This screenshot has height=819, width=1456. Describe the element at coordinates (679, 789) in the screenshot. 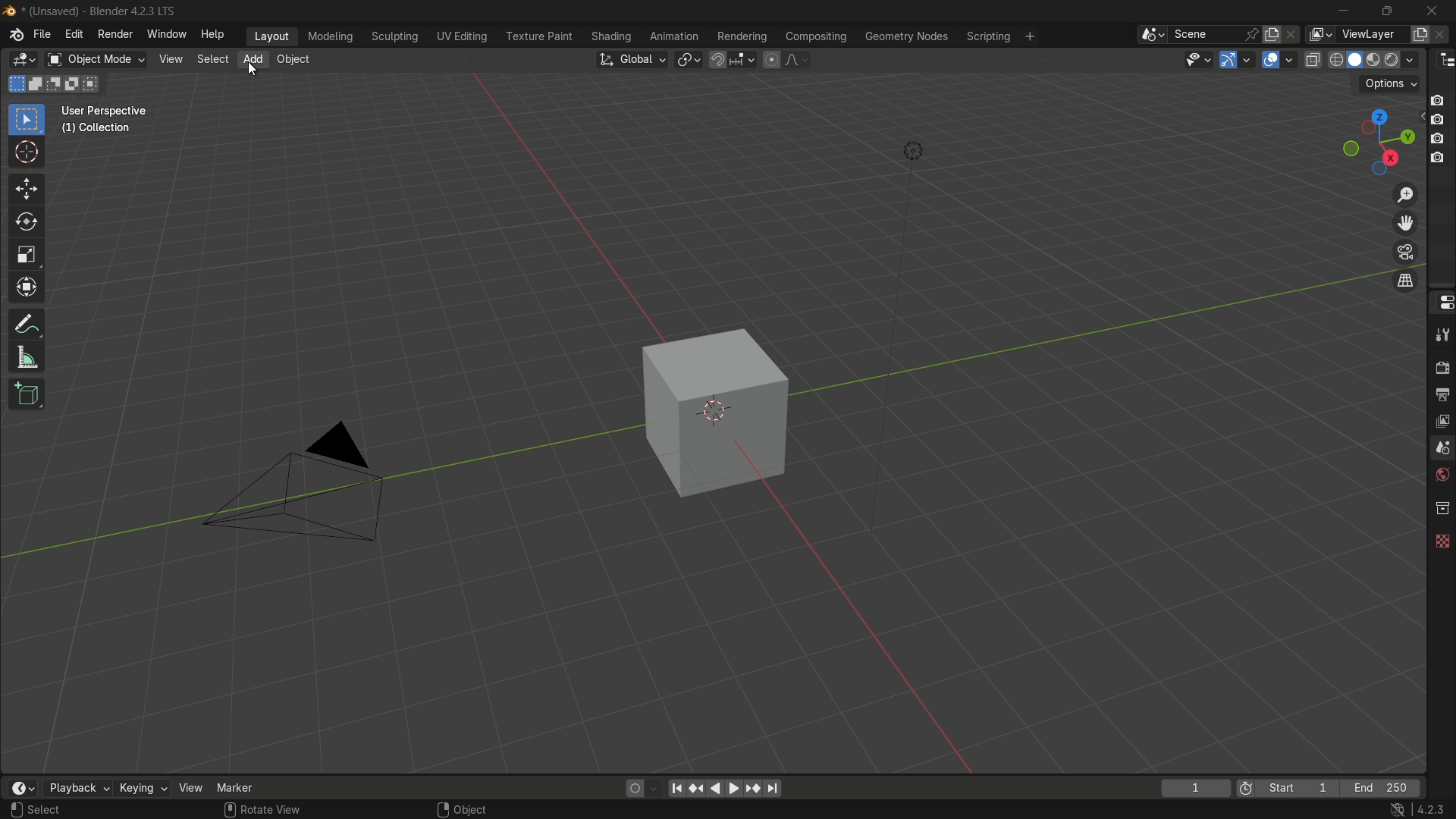

I see `move to the beginning` at that location.